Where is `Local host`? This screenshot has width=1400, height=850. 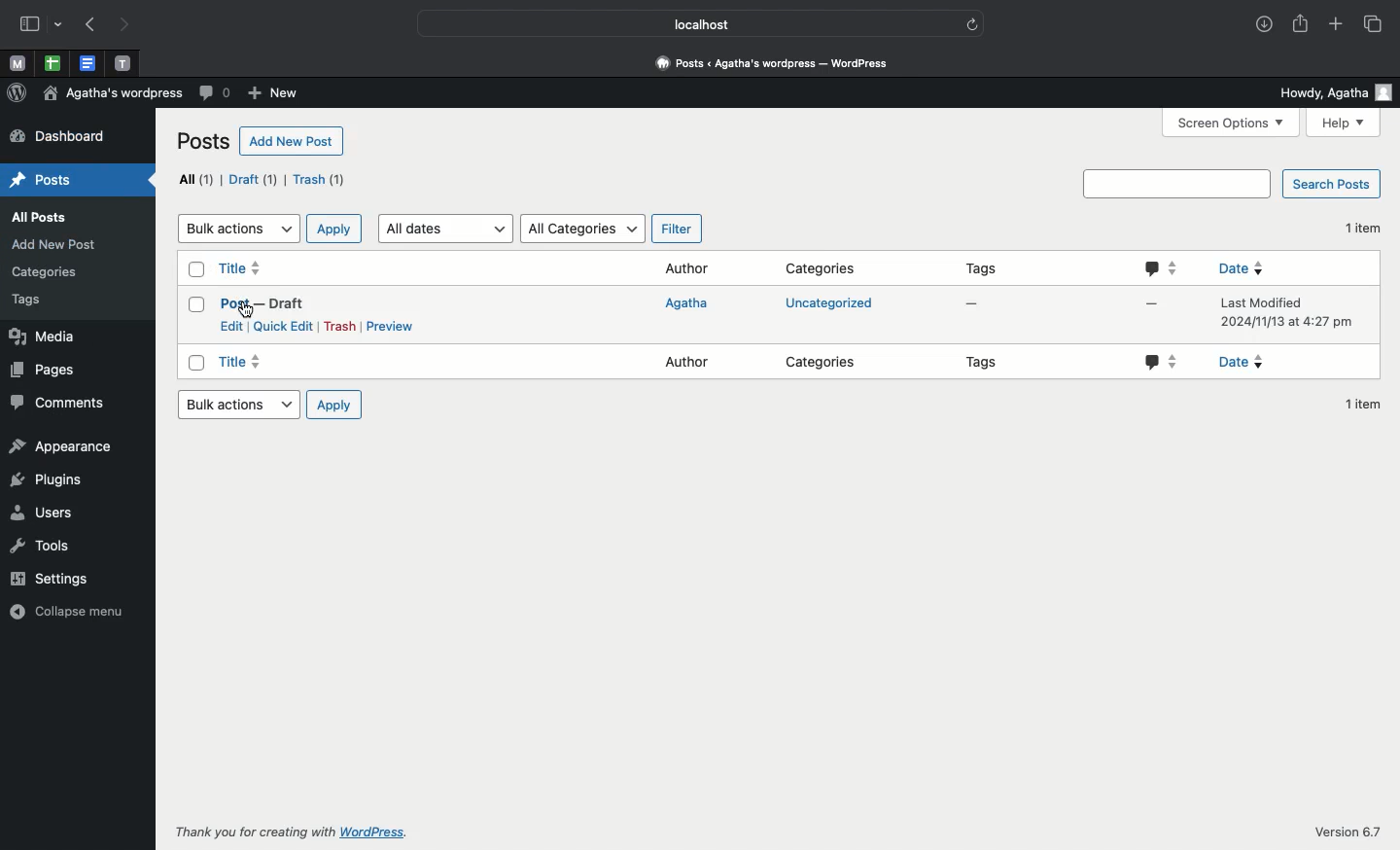
Local host is located at coordinates (688, 23).